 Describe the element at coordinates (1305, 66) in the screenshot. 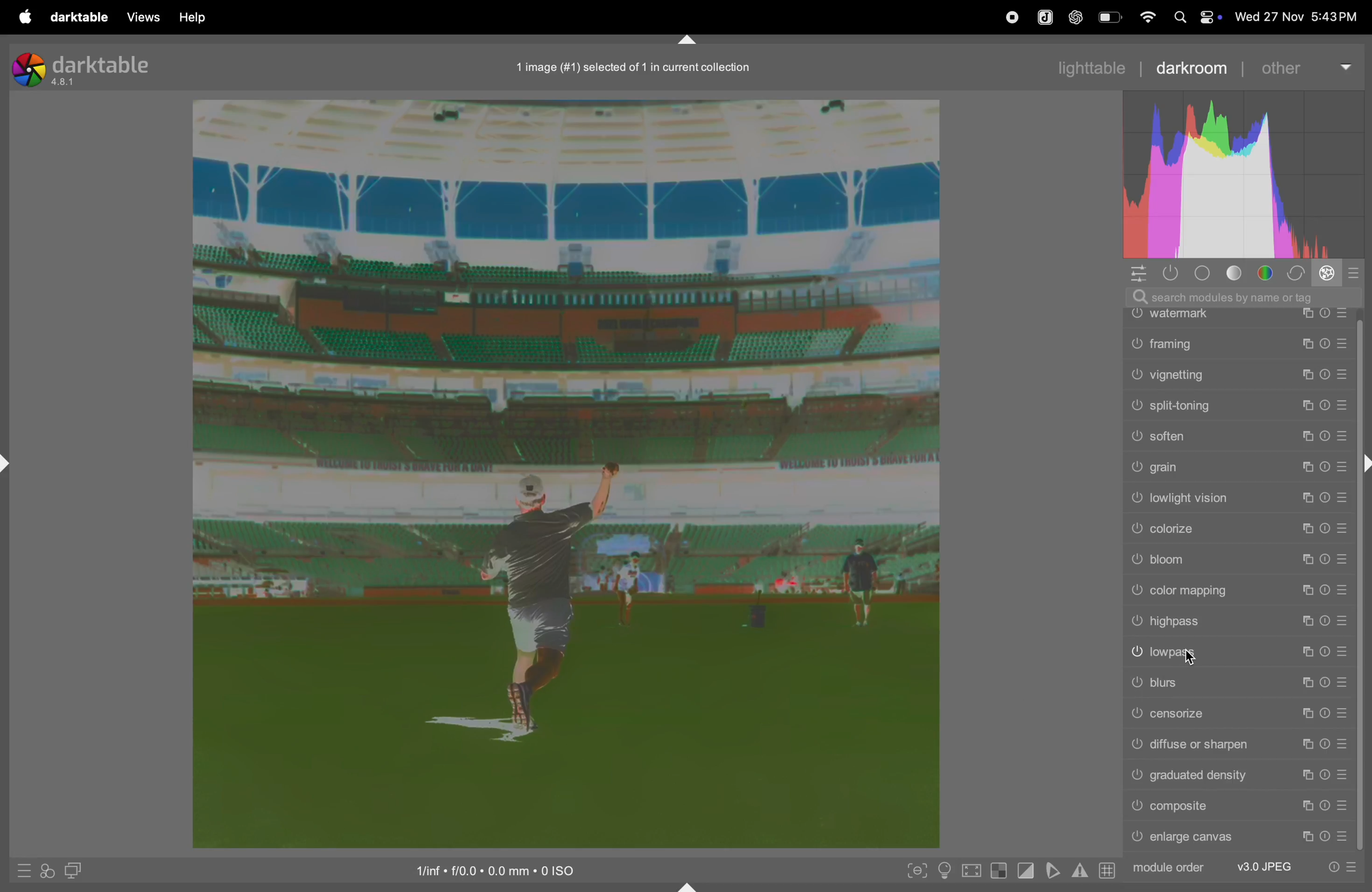

I see `other` at that location.